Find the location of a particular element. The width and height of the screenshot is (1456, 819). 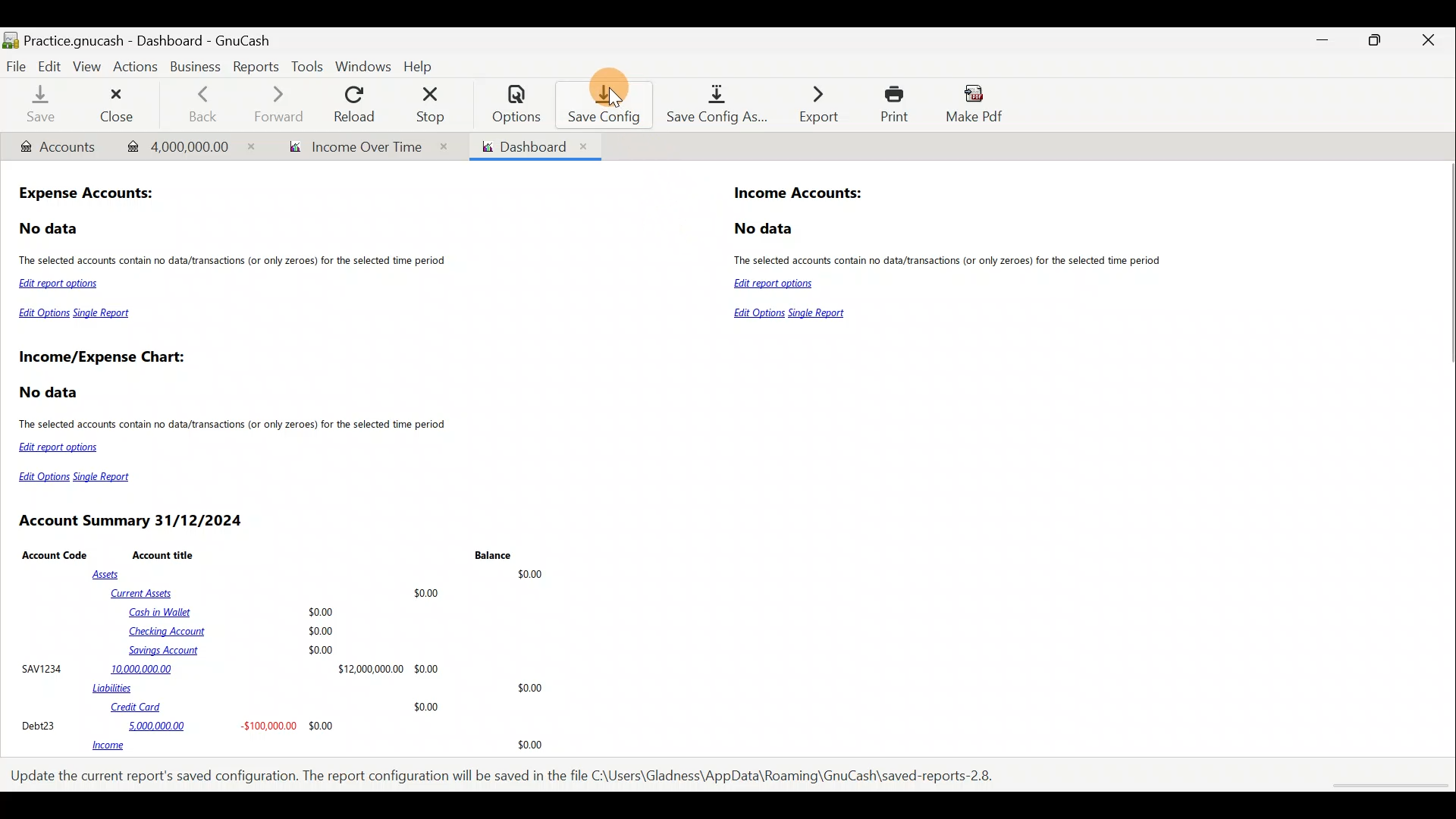

No data is located at coordinates (50, 229).